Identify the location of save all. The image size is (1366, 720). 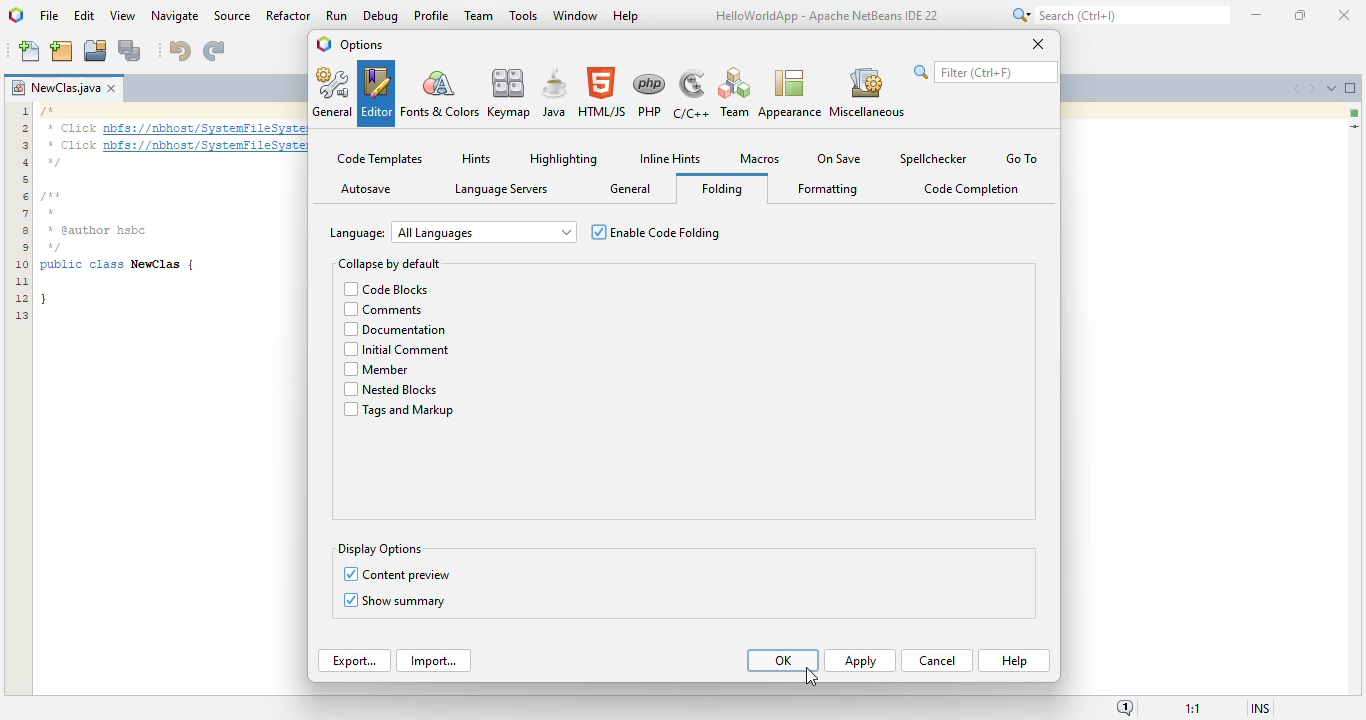
(130, 50).